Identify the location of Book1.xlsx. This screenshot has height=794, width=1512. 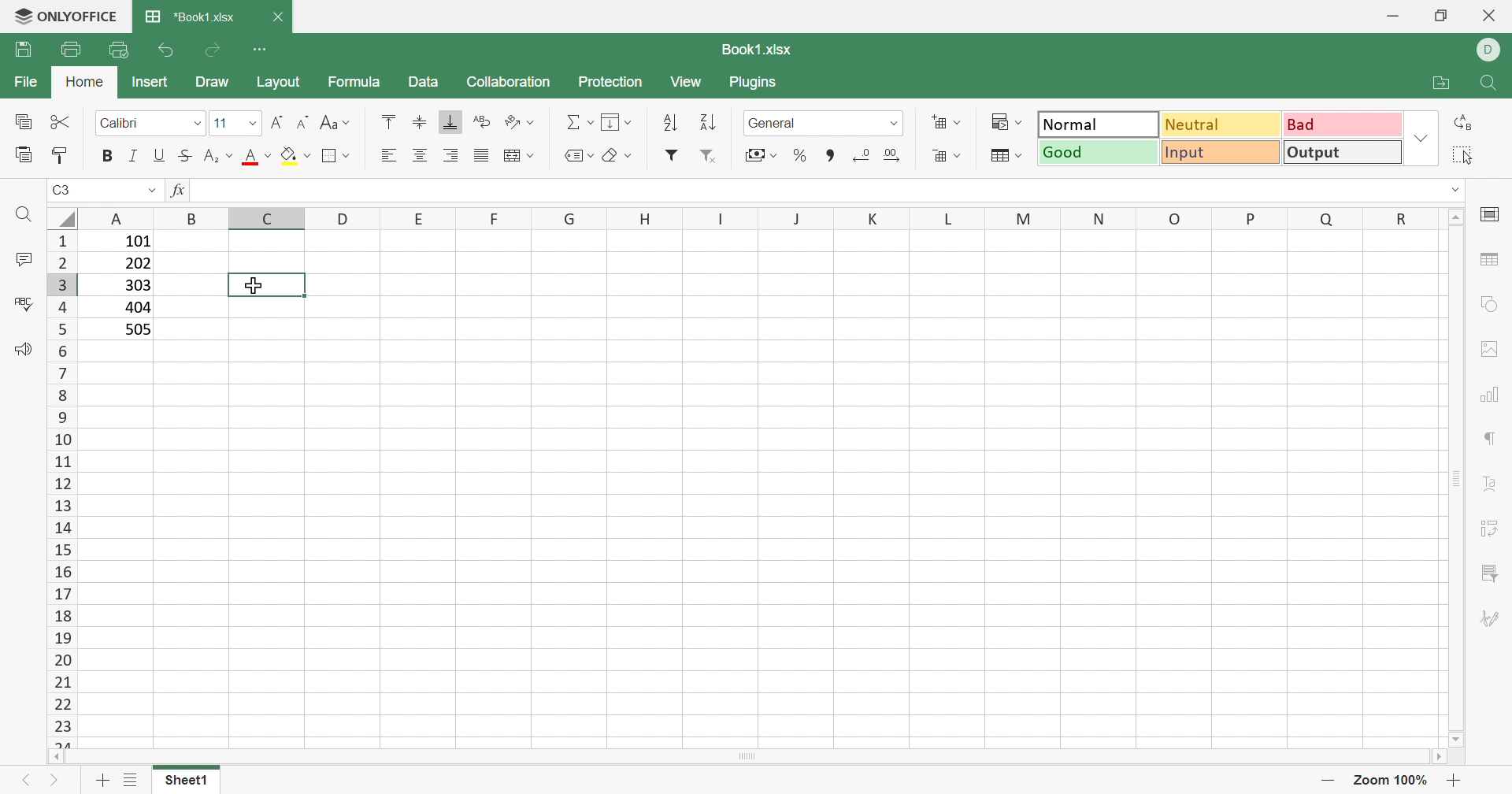
(754, 51).